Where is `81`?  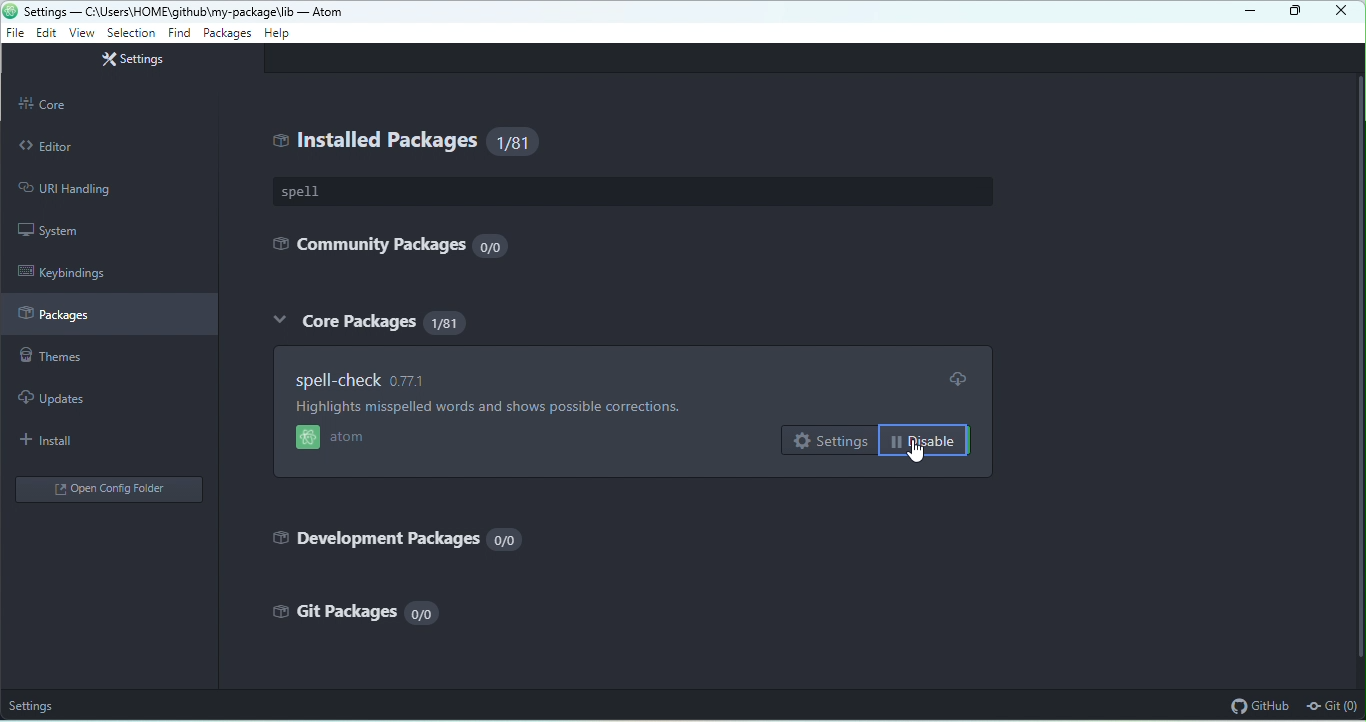
81 is located at coordinates (441, 321).